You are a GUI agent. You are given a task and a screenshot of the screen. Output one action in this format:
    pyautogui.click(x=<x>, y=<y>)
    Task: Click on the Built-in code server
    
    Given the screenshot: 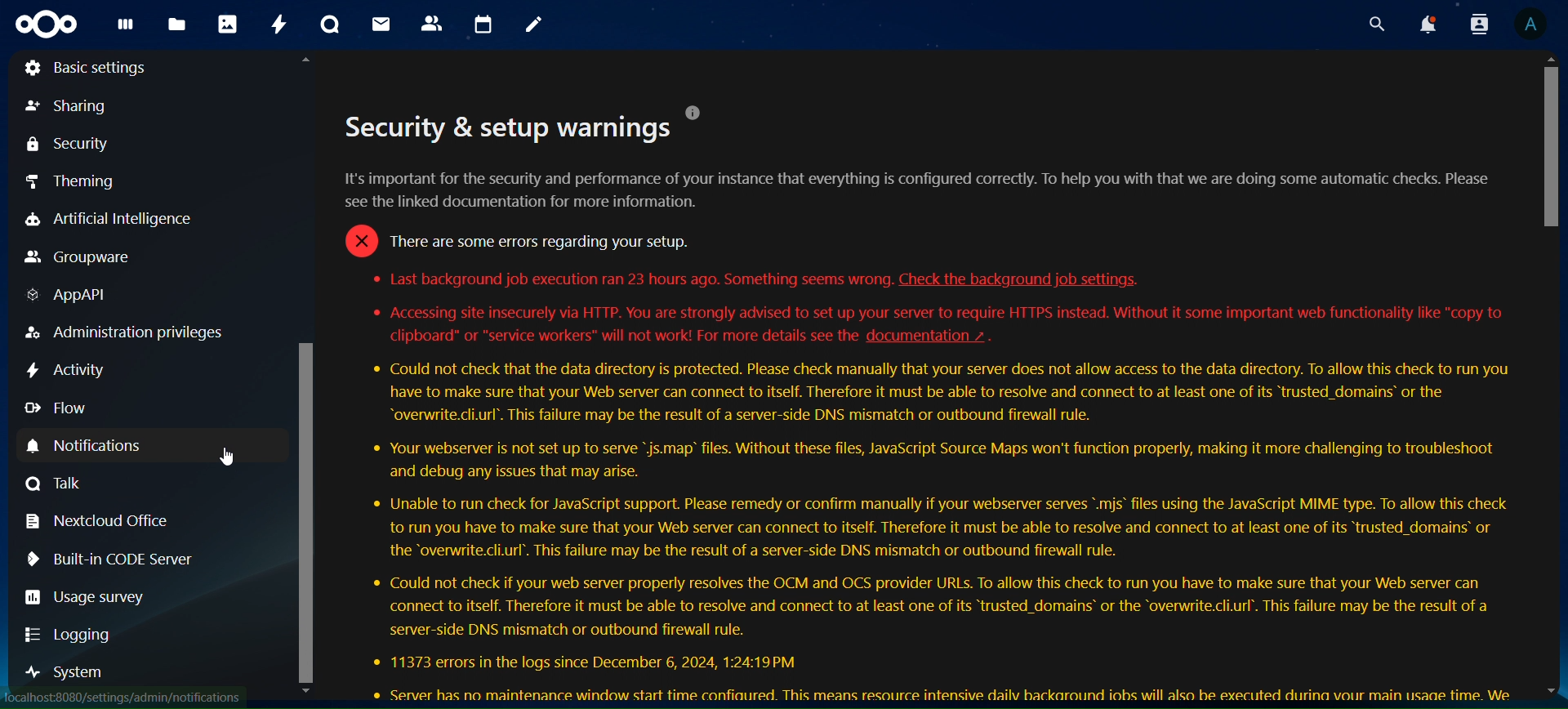 What is the action you would take?
    pyautogui.click(x=118, y=558)
    